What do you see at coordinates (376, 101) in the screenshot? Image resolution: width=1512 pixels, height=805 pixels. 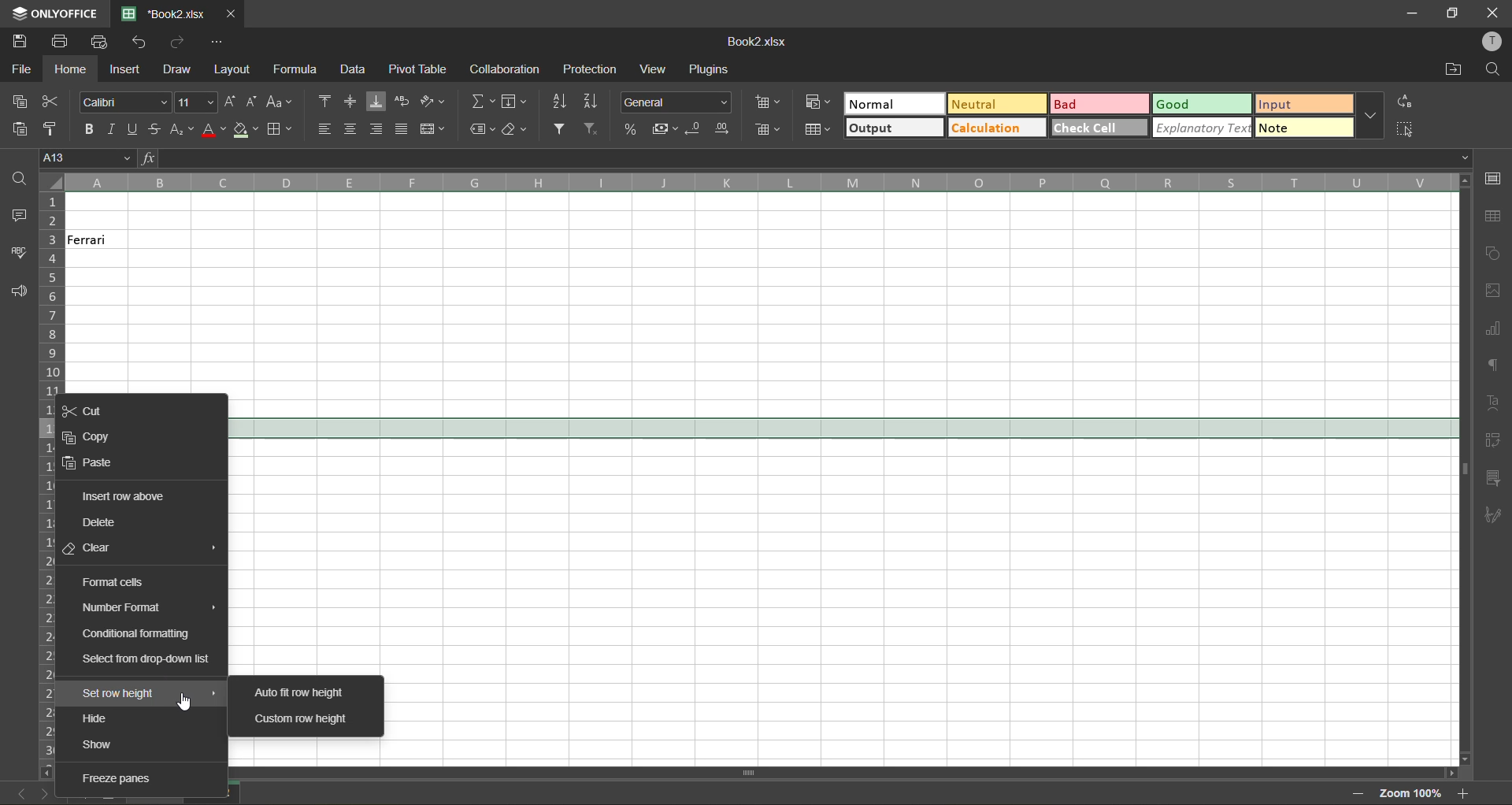 I see `align bottom` at bounding box center [376, 101].